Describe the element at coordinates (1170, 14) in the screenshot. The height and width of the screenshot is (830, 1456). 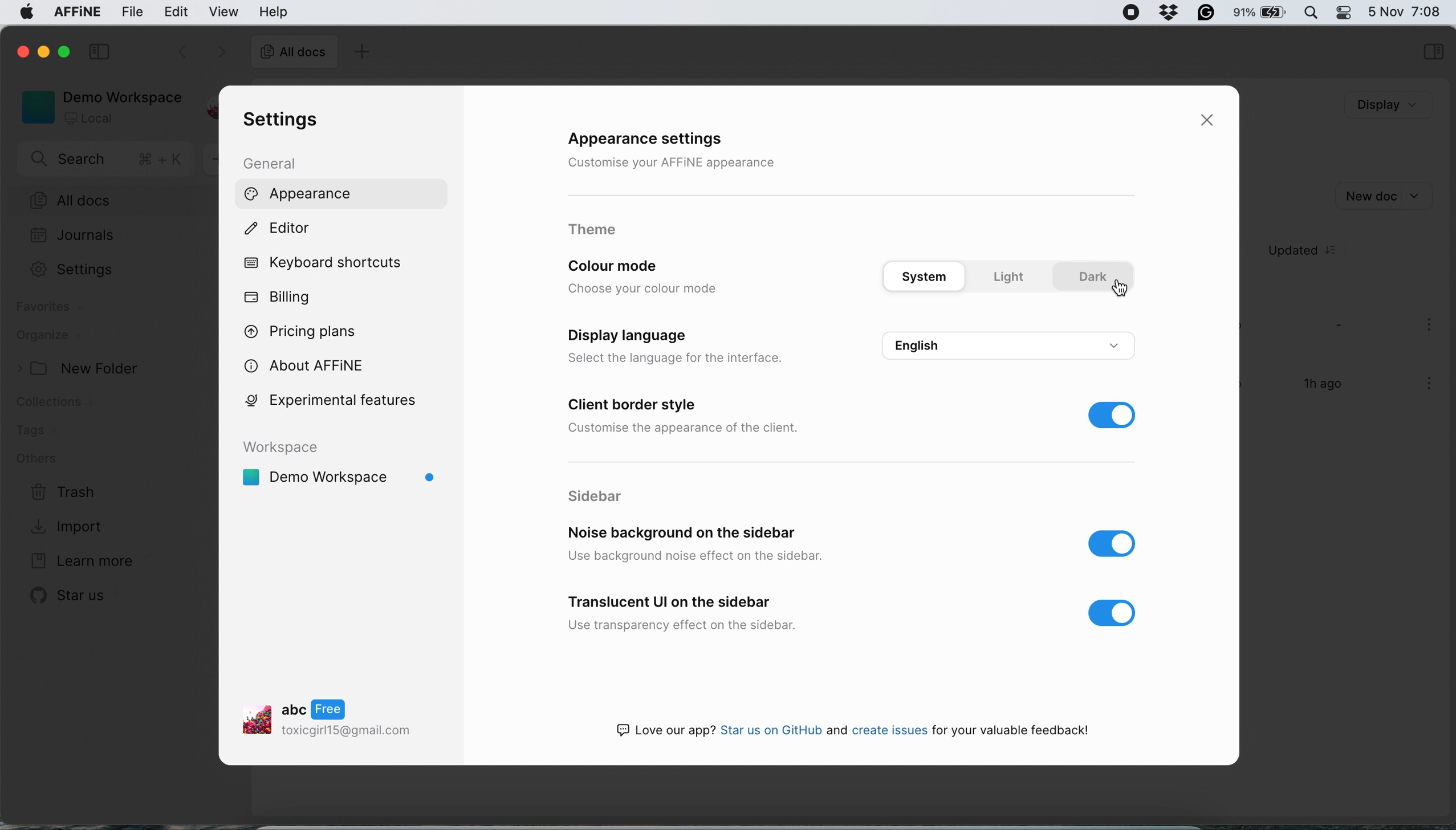
I see `dropbox` at that location.